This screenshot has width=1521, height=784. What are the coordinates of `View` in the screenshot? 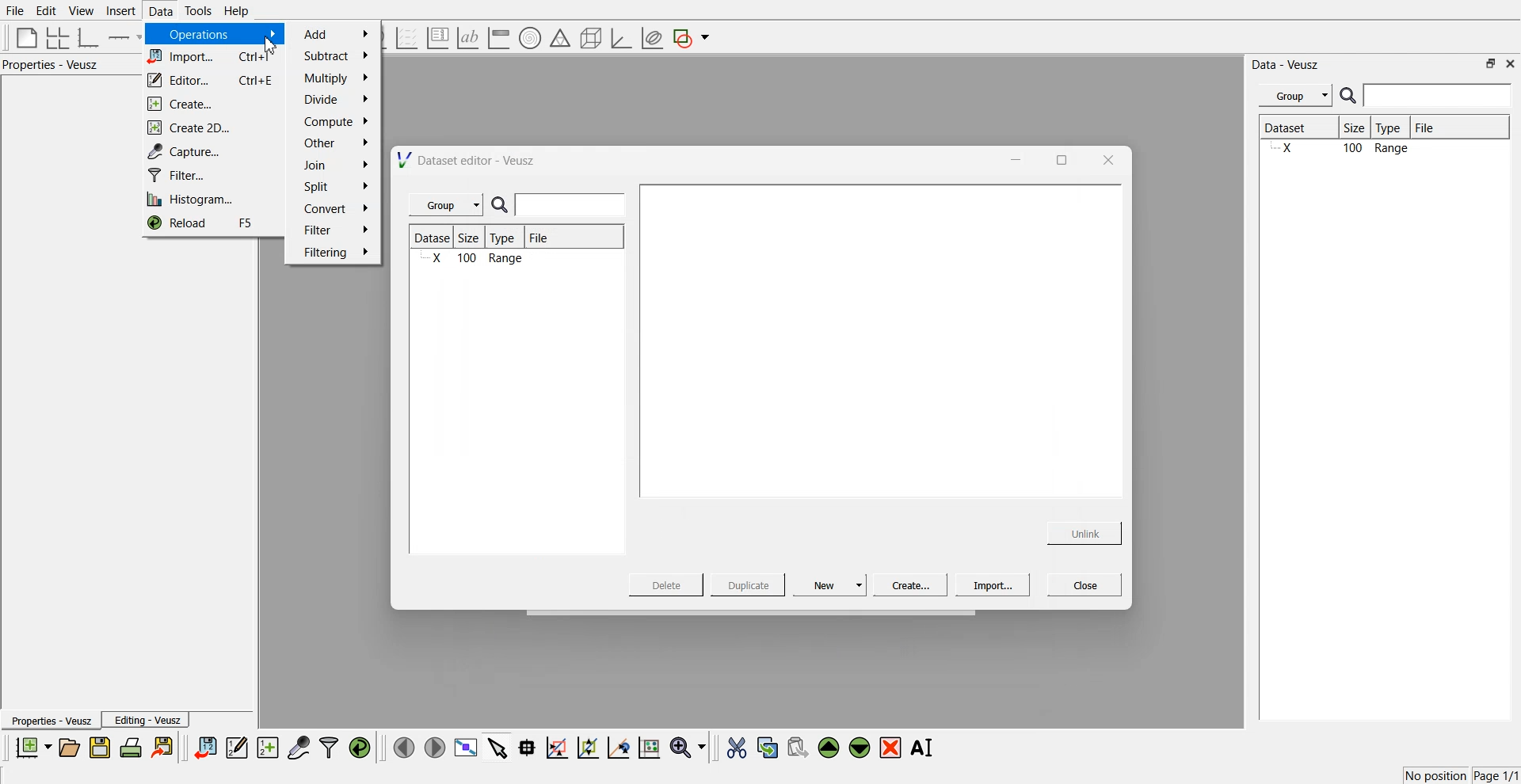 It's located at (80, 11).